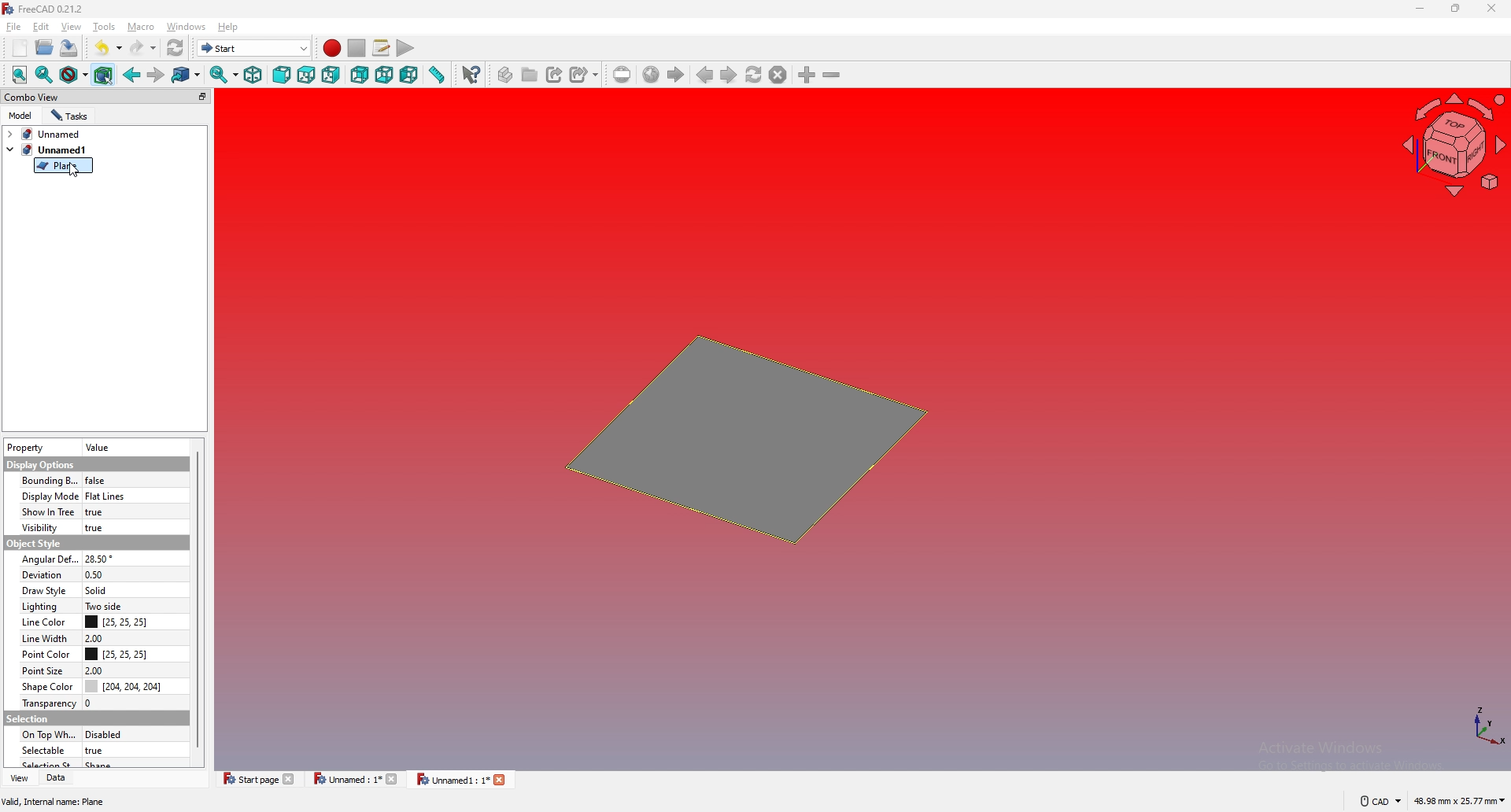 This screenshot has height=812, width=1511. I want to click on create group, so click(531, 74).